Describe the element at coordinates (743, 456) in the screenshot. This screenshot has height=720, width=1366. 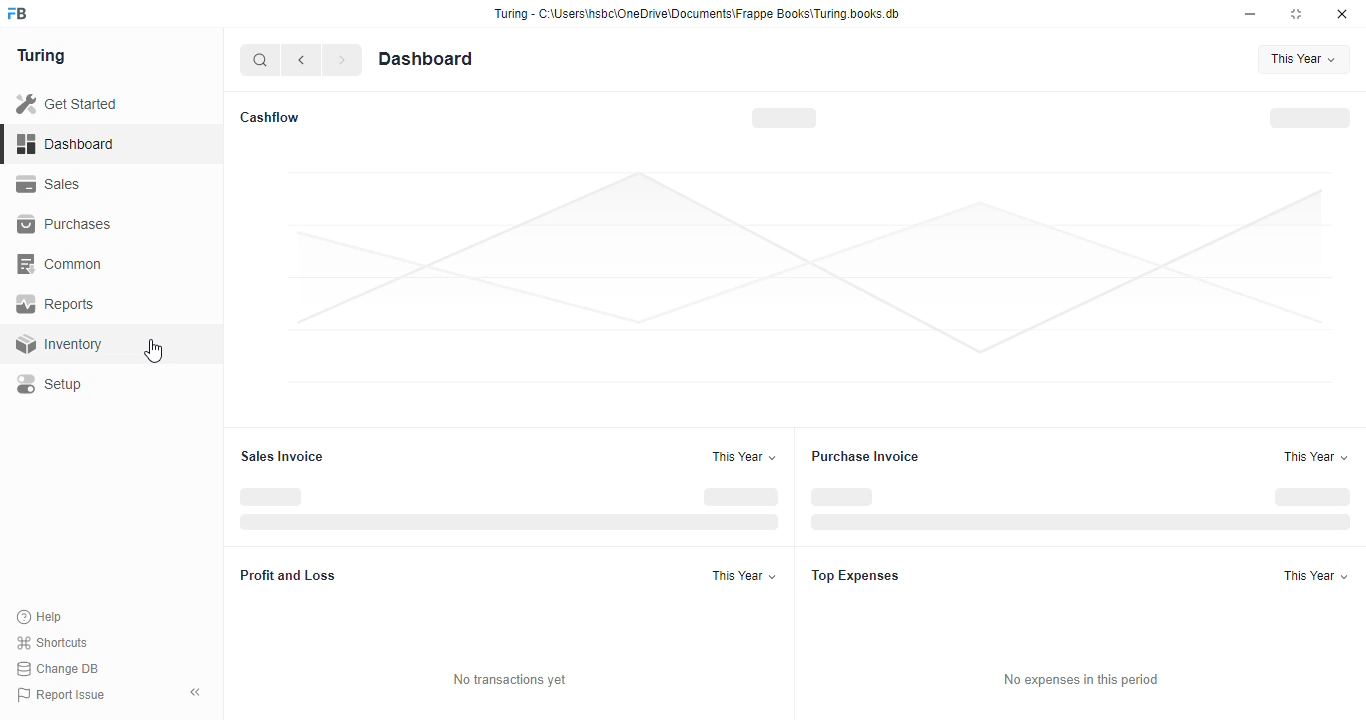
I see `this year` at that location.